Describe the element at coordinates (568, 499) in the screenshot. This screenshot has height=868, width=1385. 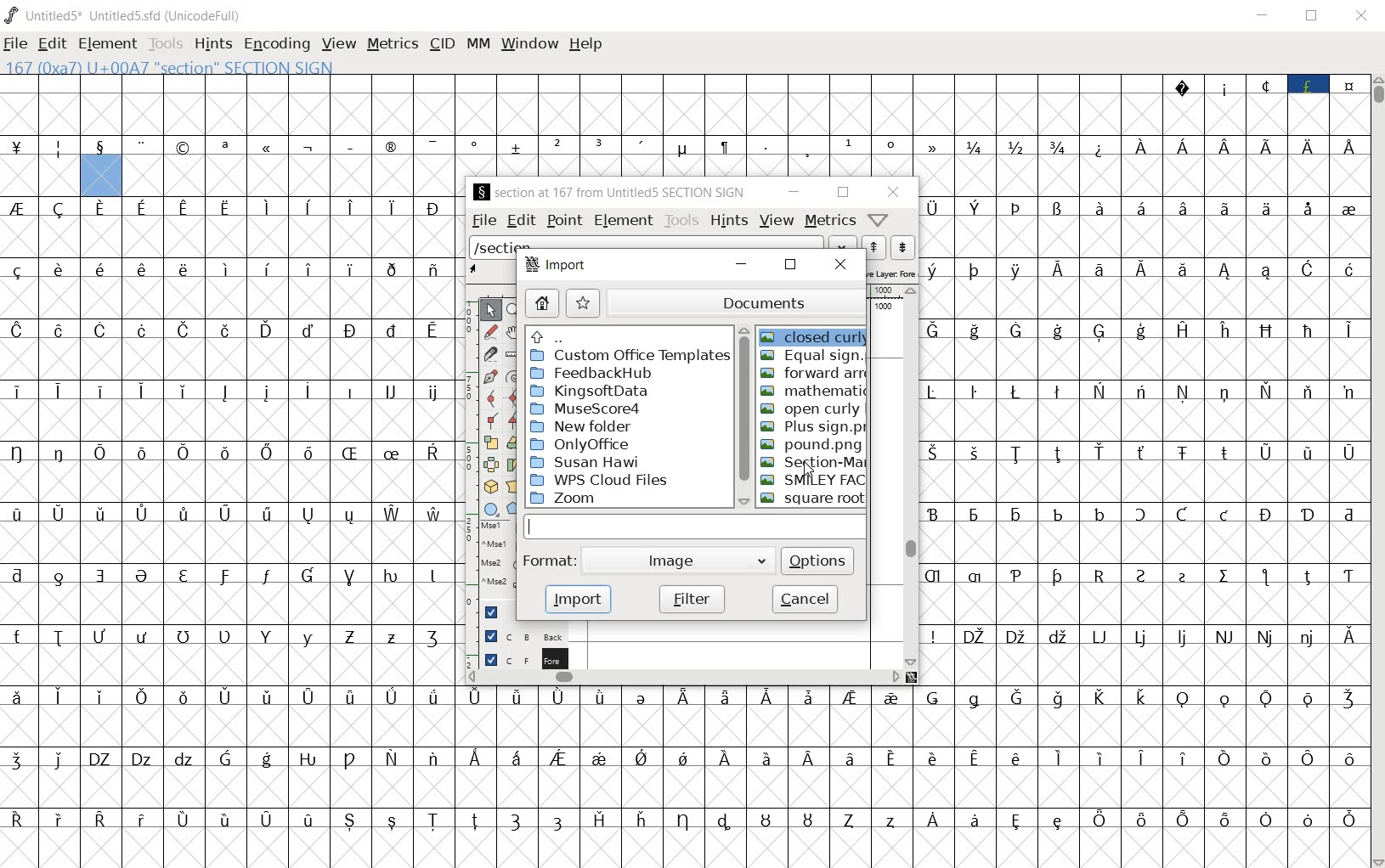
I see `zoom` at that location.